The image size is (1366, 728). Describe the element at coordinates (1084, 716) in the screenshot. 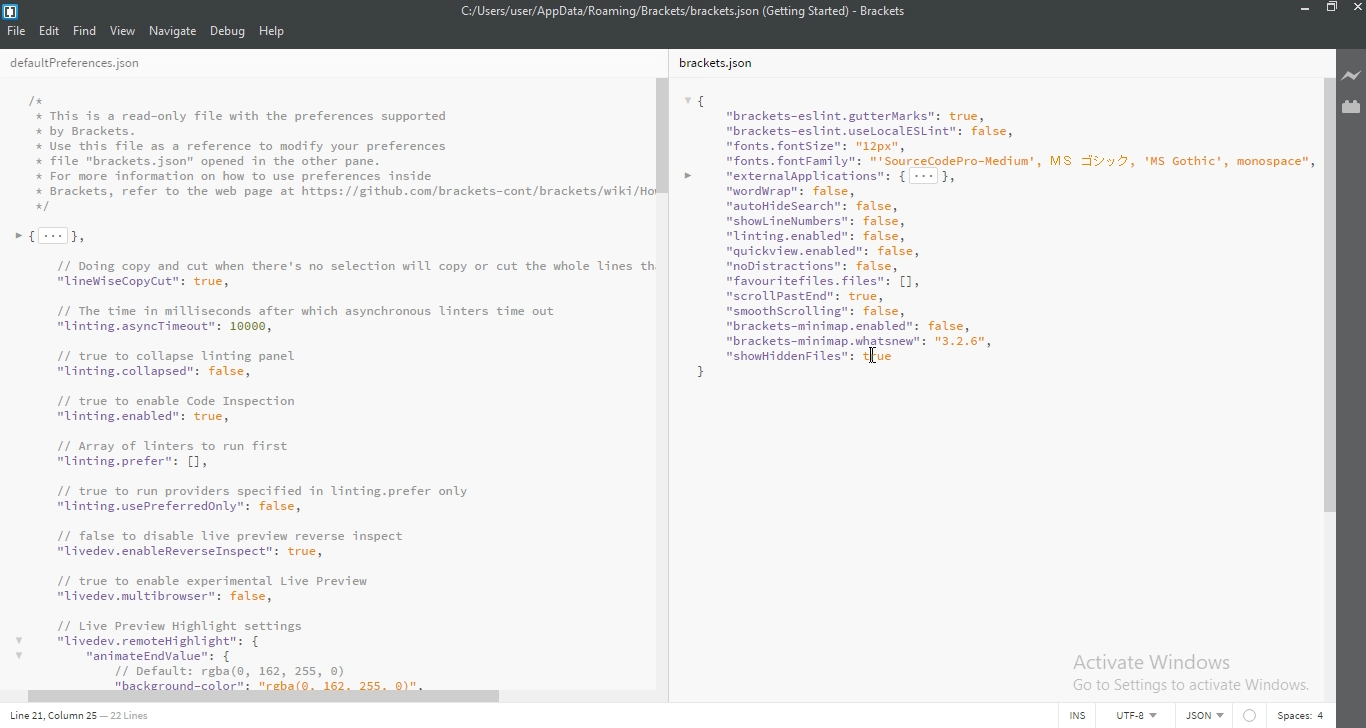

I see `INS` at that location.